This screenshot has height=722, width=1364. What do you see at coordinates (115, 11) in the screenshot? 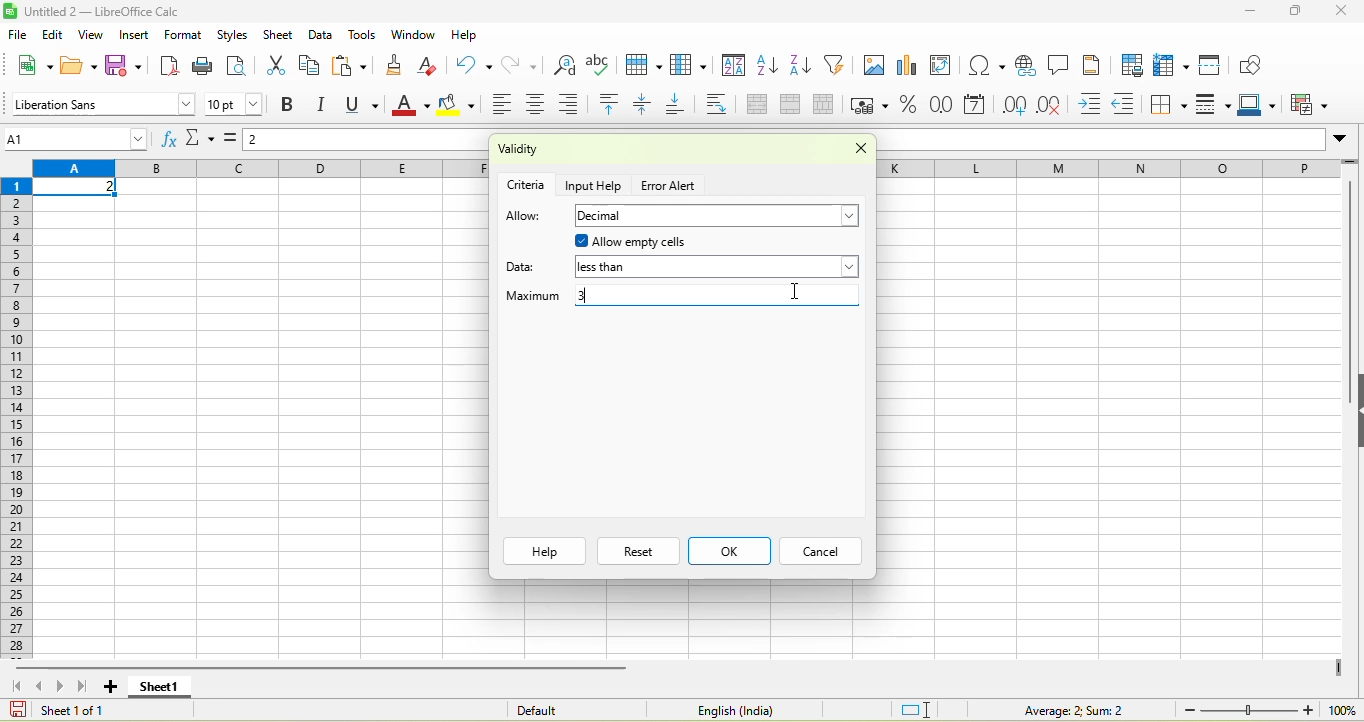
I see `untiteld2- libreoffice calc` at bounding box center [115, 11].